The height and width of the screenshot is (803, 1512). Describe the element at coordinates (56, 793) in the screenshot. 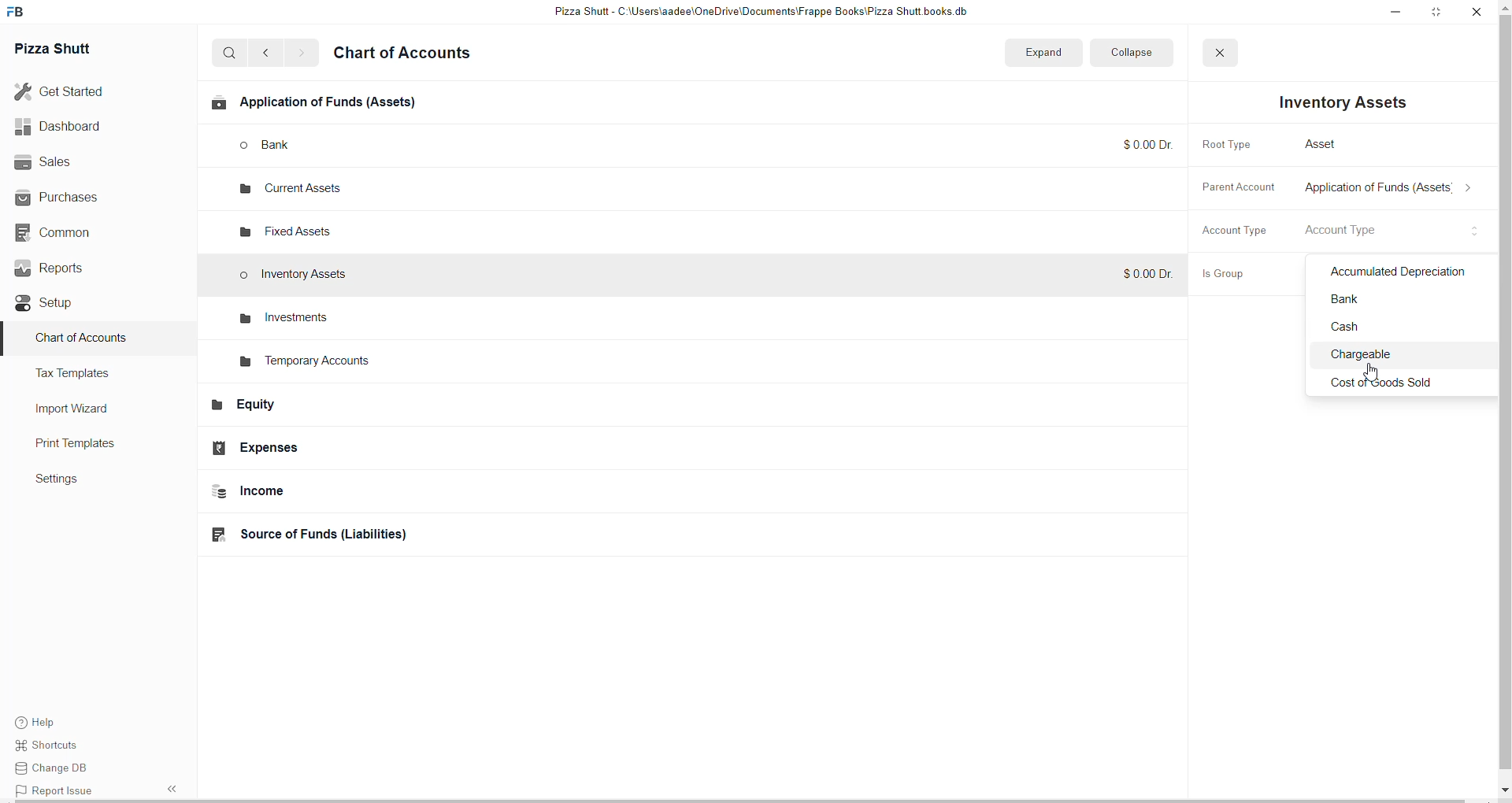

I see `Report issue` at that location.